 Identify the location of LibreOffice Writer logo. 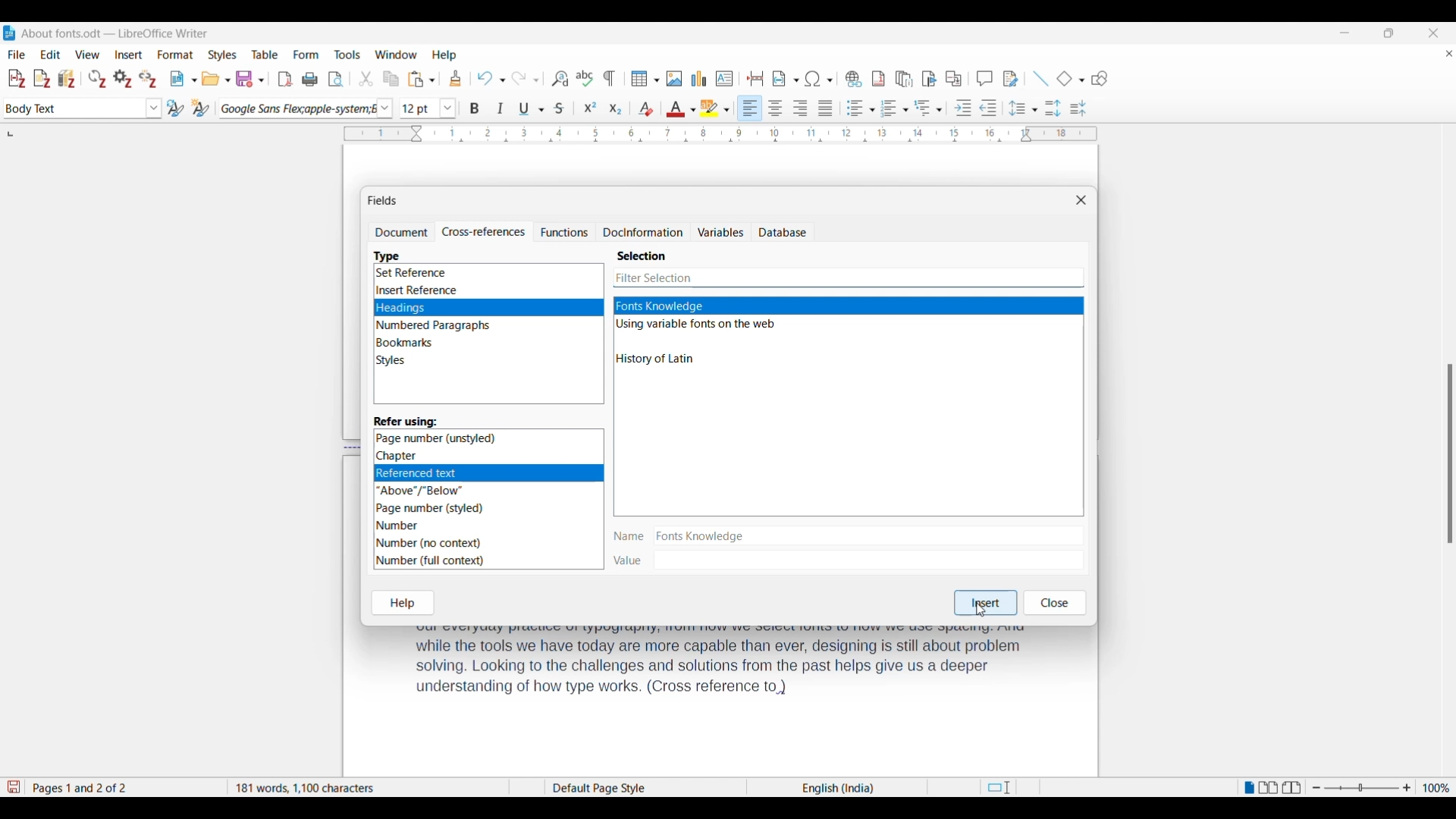
(9, 33).